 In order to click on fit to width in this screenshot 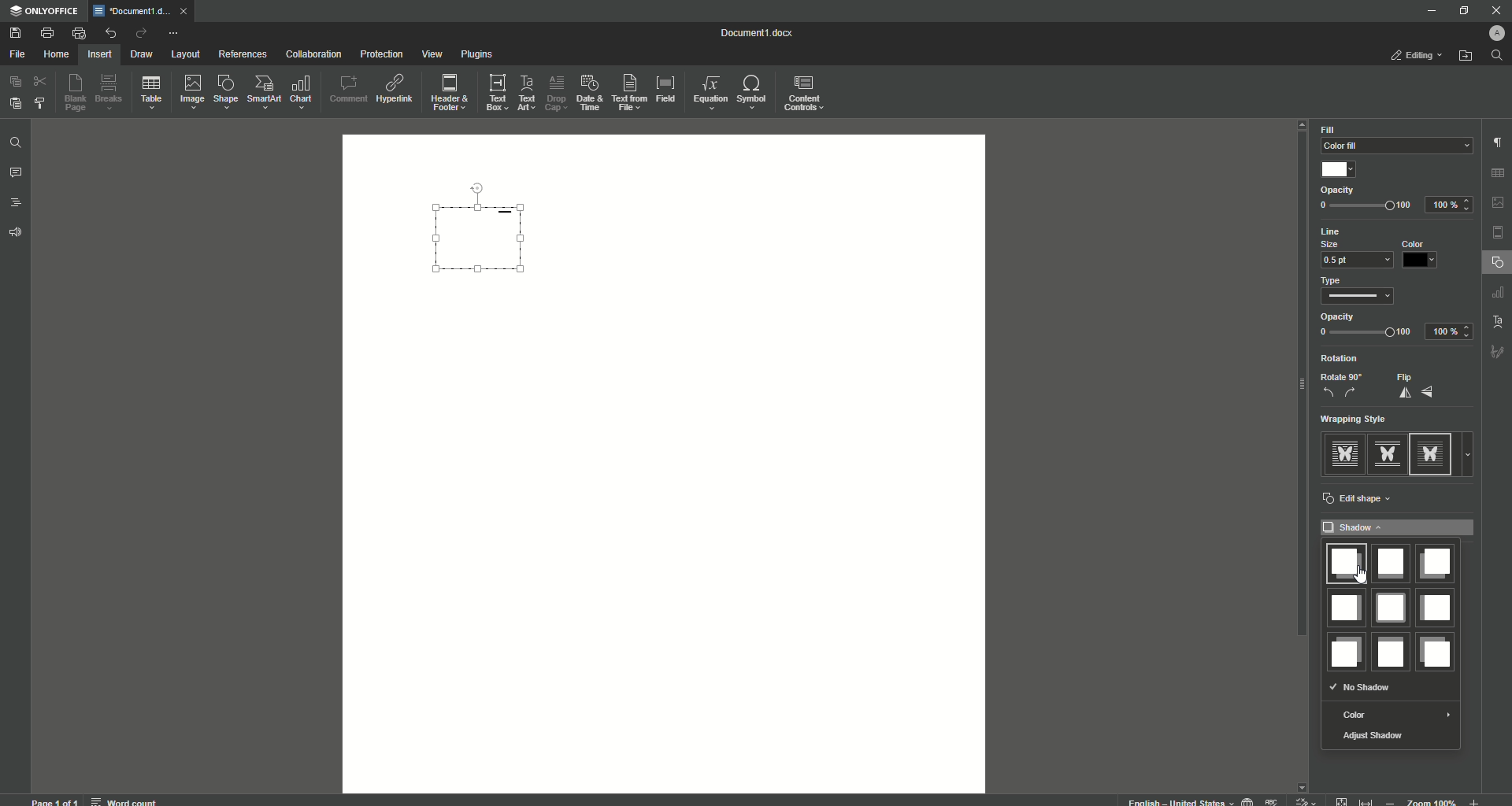, I will do `click(1369, 800)`.